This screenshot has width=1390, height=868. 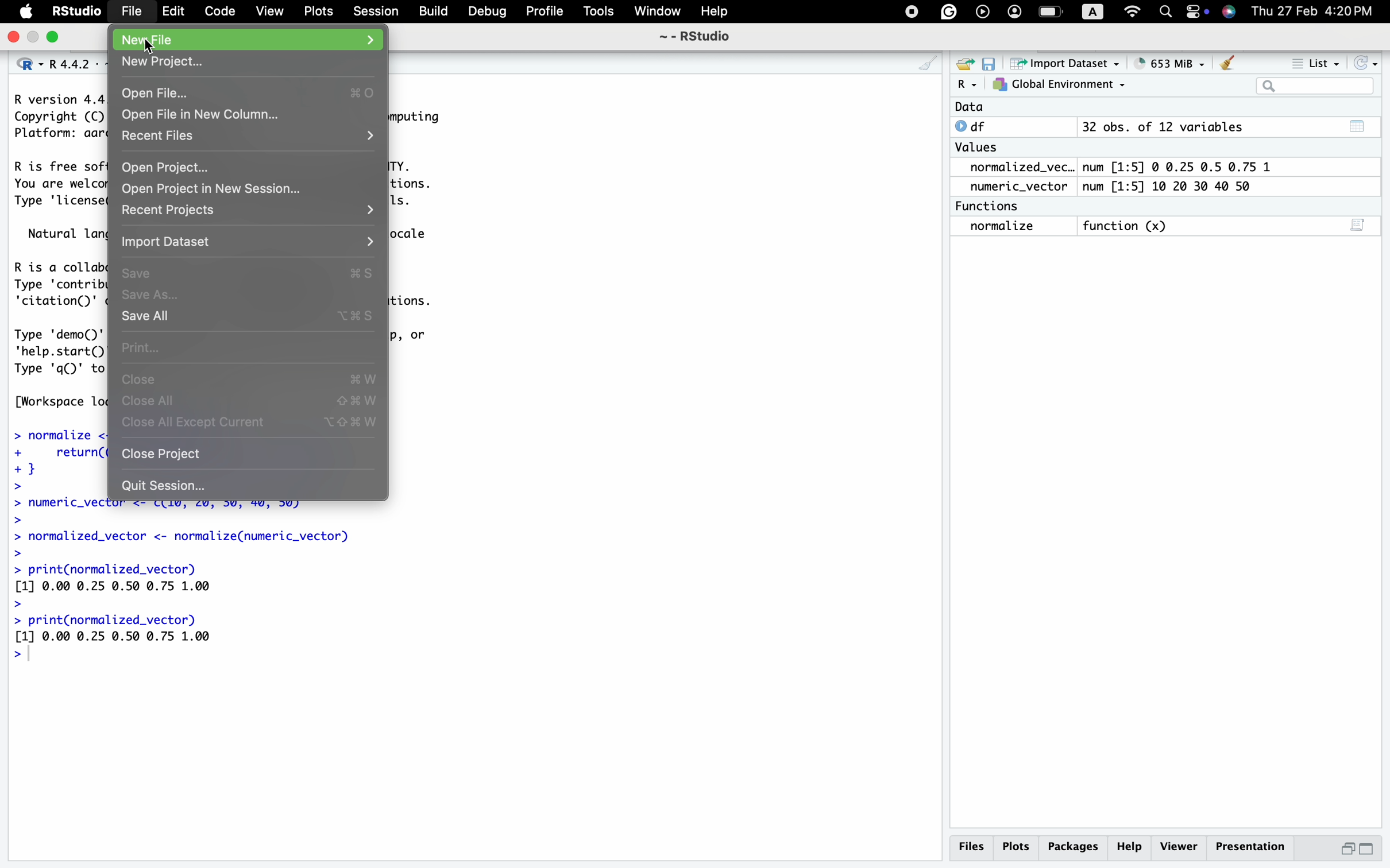 What do you see at coordinates (55, 61) in the screenshot?
I see `R.4.4.2` at bounding box center [55, 61].